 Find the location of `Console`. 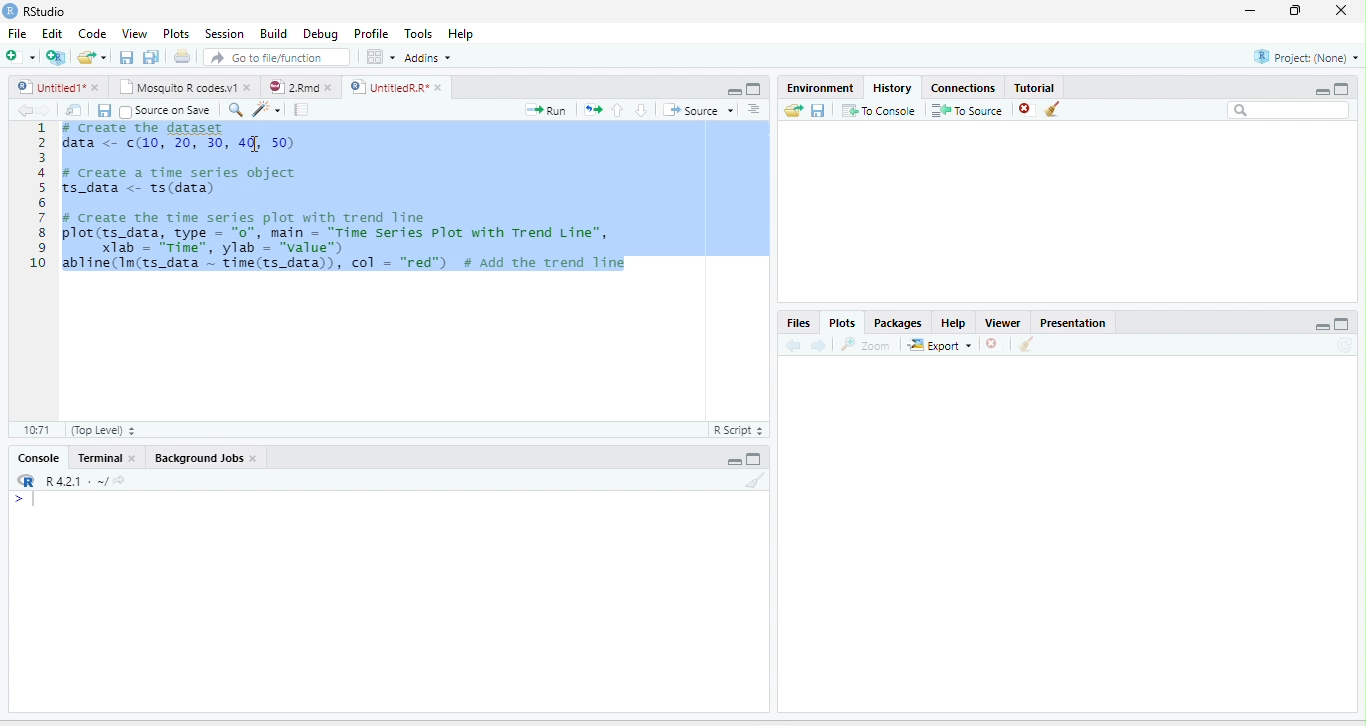

Console is located at coordinates (39, 458).